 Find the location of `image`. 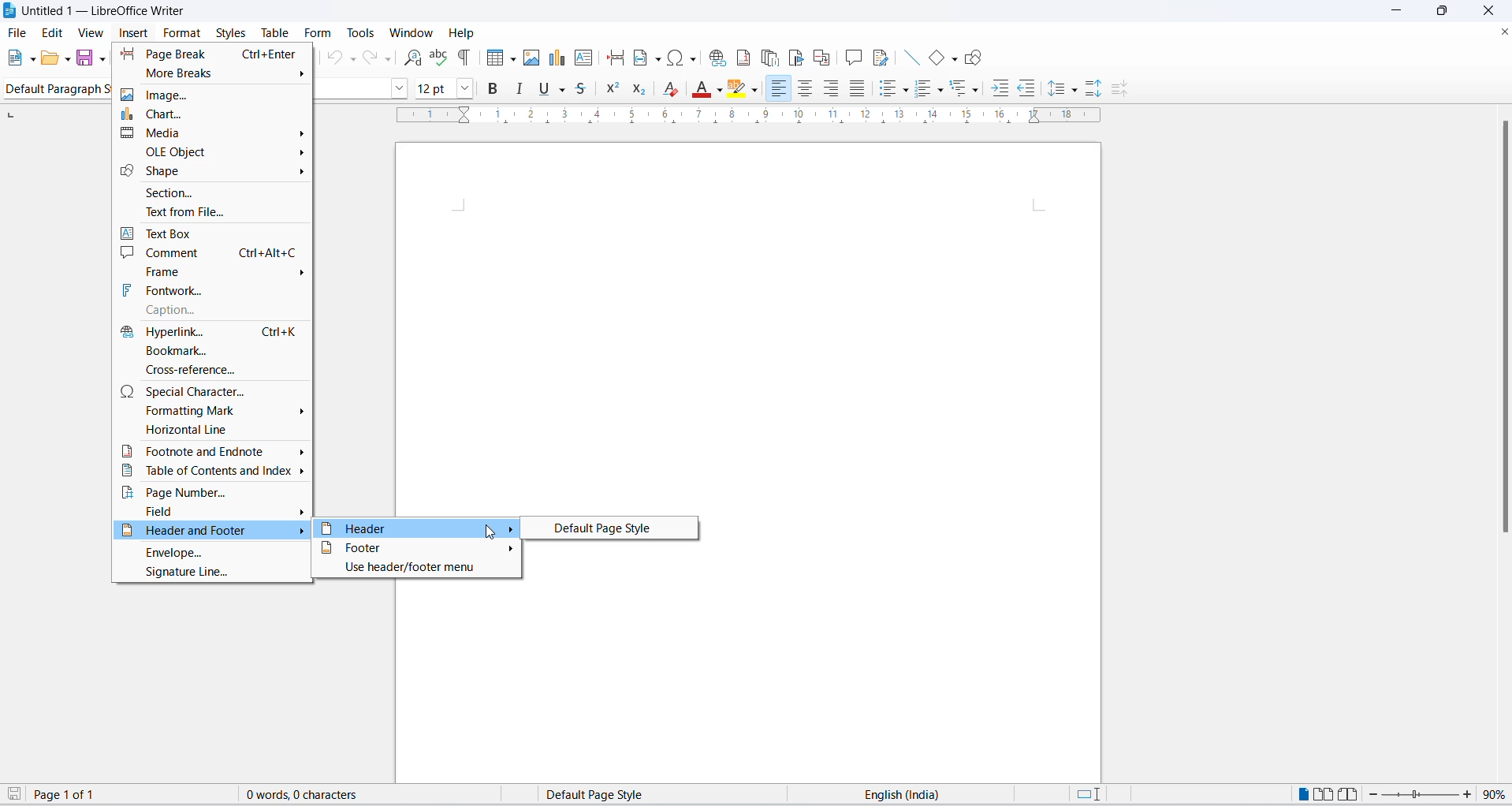

image is located at coordinates (213, 97).